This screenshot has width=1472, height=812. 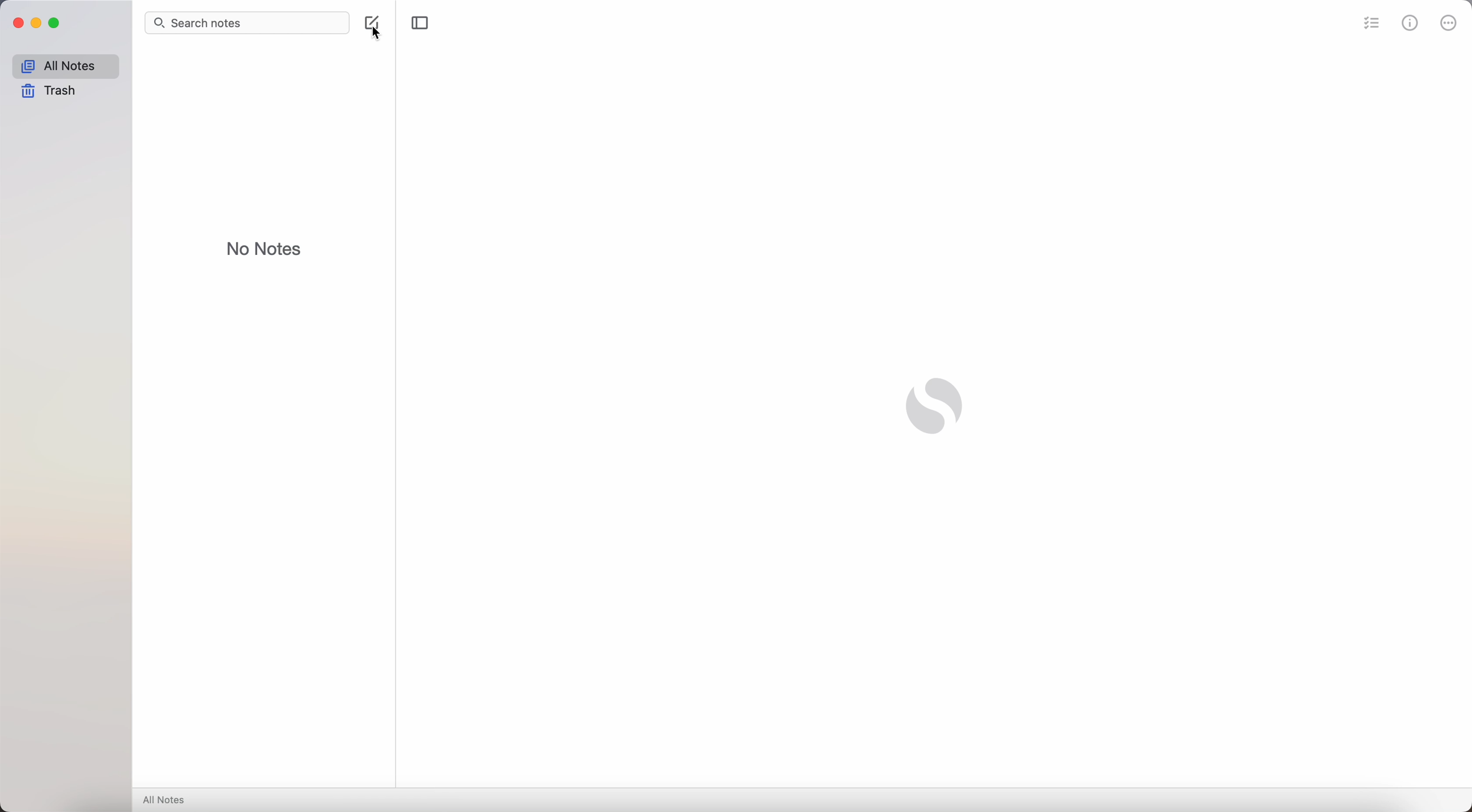 I want to click on maximize, so click(x=57, y=23).